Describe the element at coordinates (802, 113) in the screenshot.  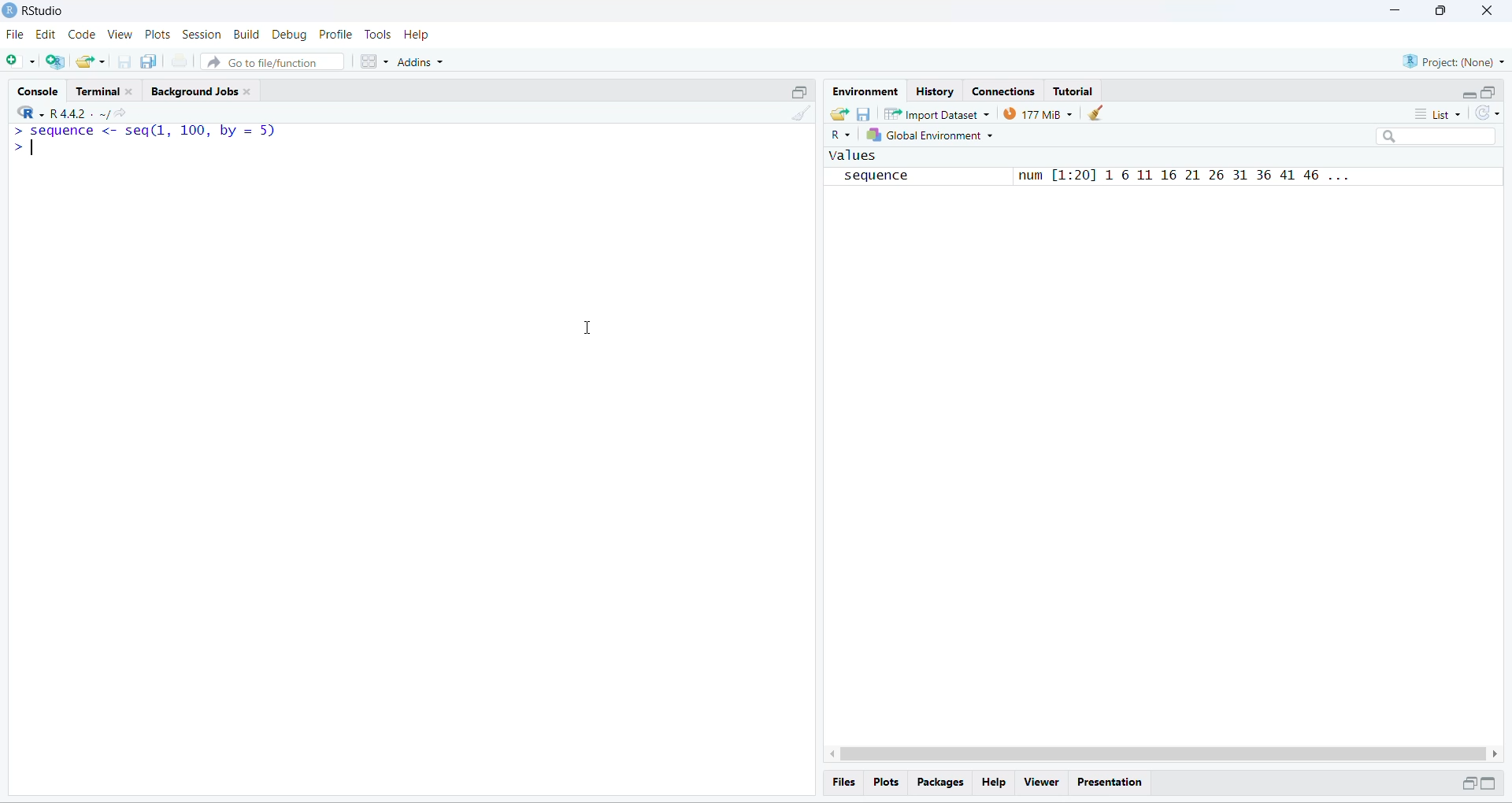
I see `clean` at that location.